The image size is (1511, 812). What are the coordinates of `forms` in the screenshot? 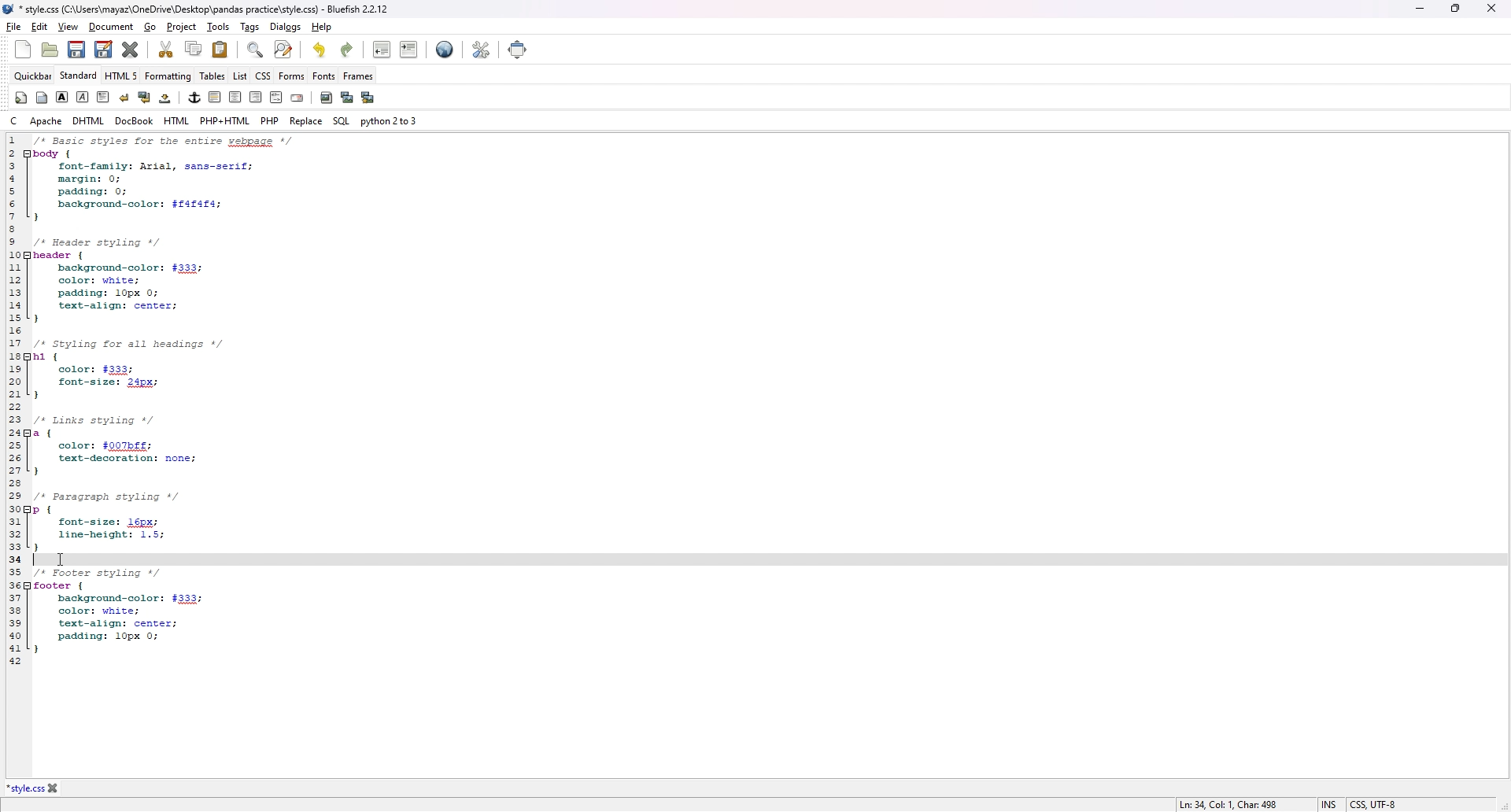 It's located at (292, 76).